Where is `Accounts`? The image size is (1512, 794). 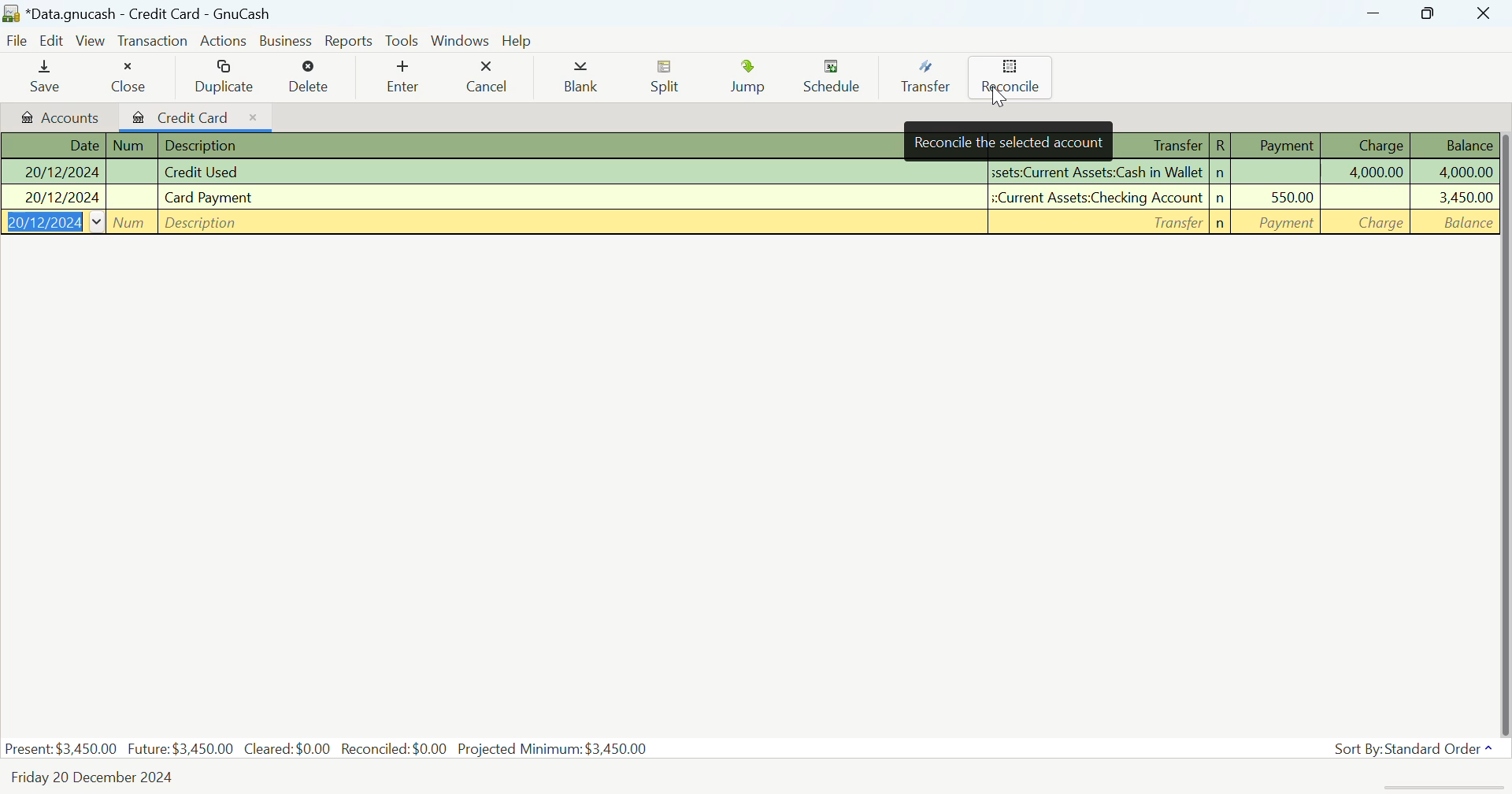
Accounts is located at coordinates (57, 117).